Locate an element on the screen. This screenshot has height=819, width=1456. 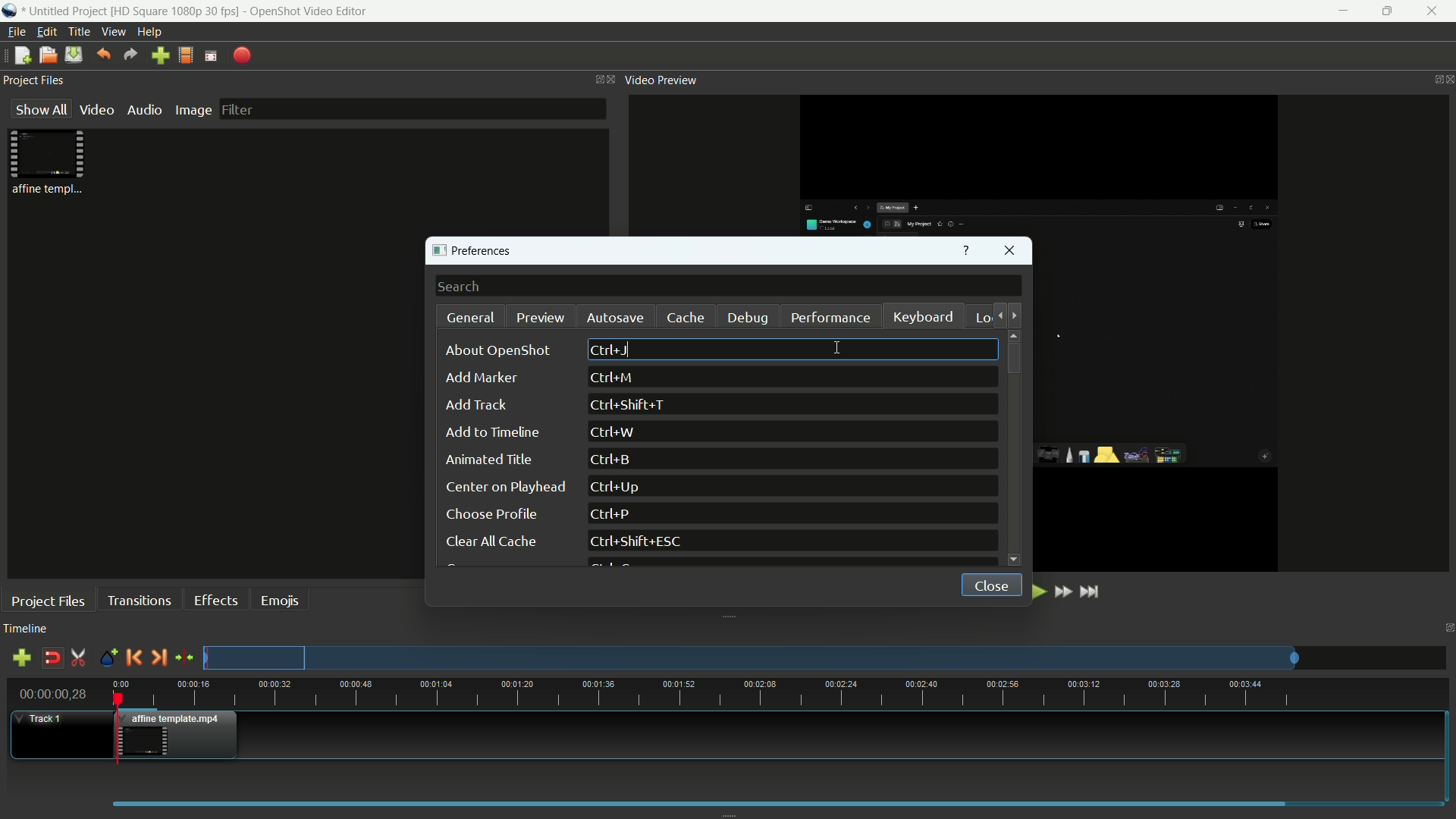
filter bar is located at coordinates (411, 108).